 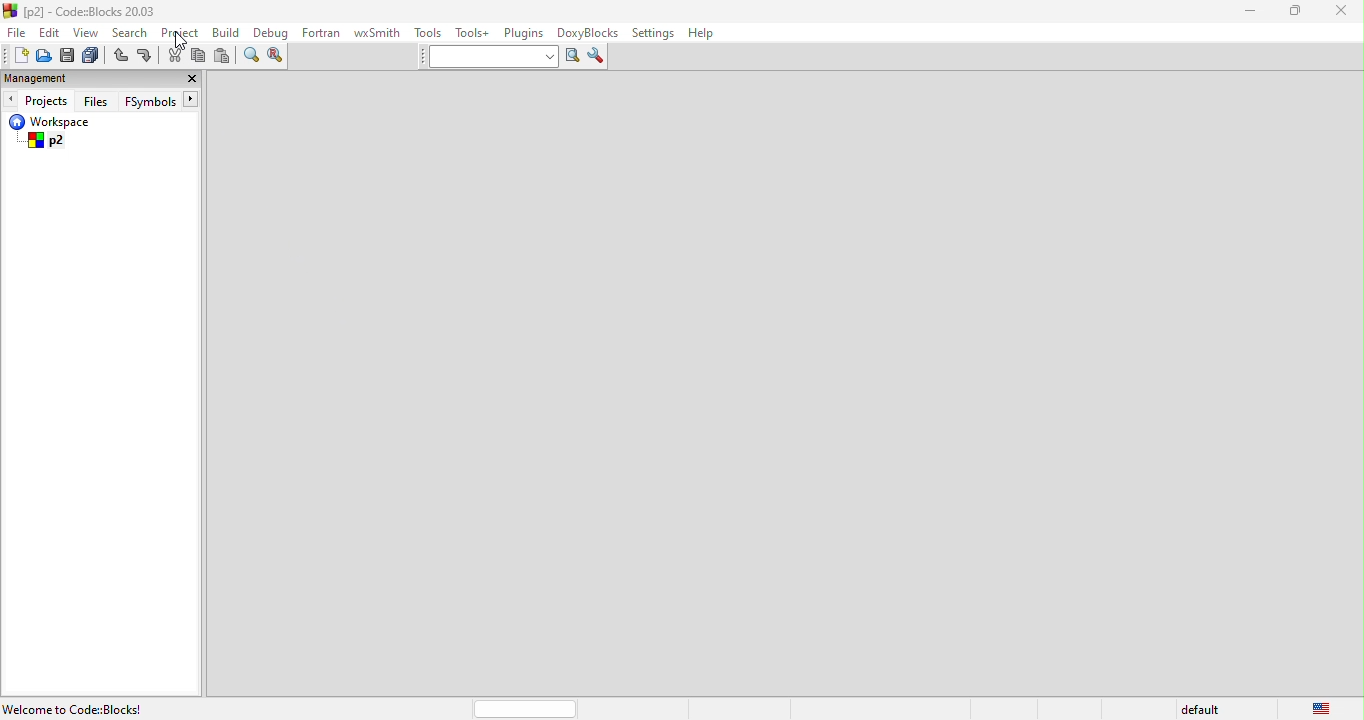 I want to click on maximize, so click(x=1301, y=13).